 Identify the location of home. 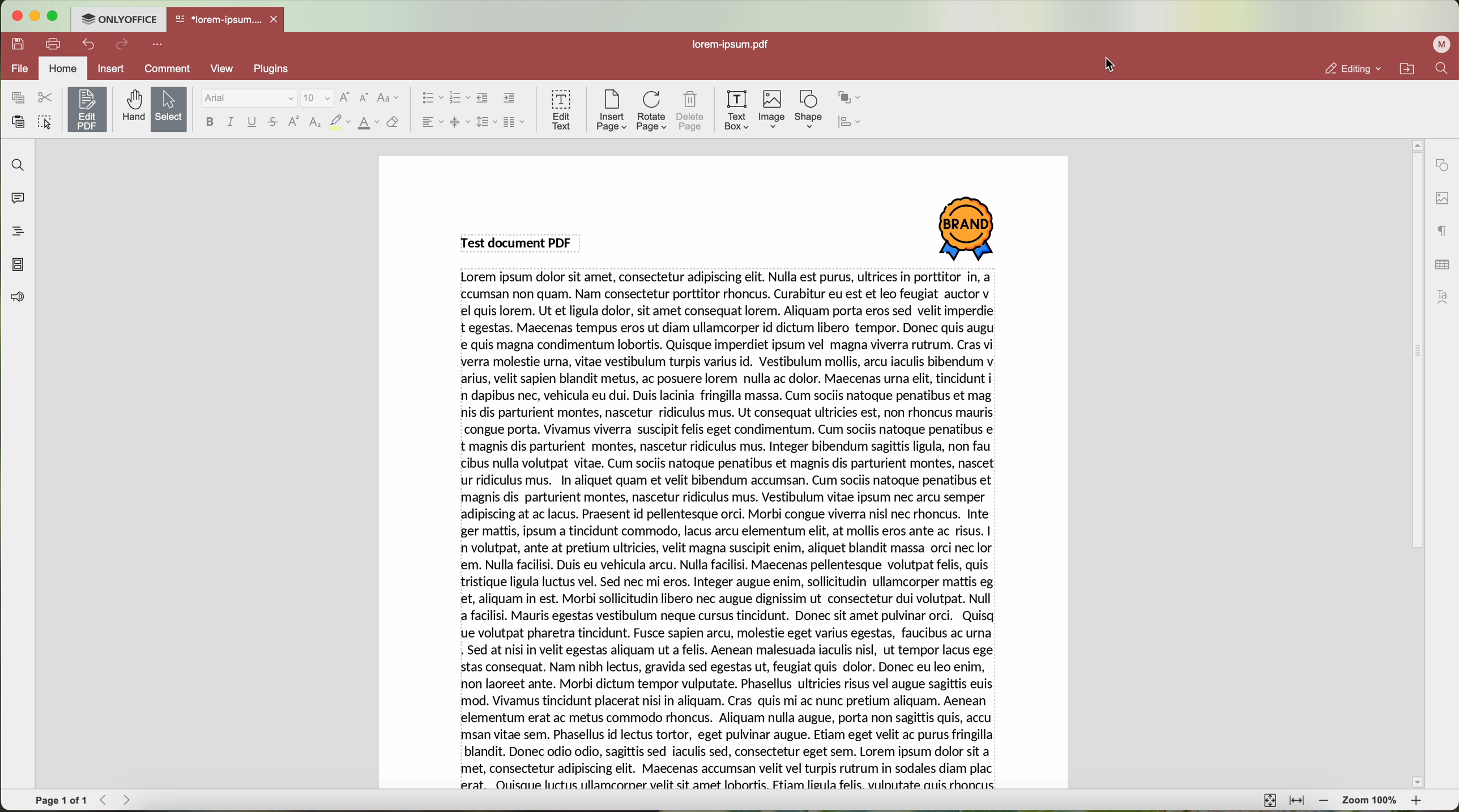
(62, 68).